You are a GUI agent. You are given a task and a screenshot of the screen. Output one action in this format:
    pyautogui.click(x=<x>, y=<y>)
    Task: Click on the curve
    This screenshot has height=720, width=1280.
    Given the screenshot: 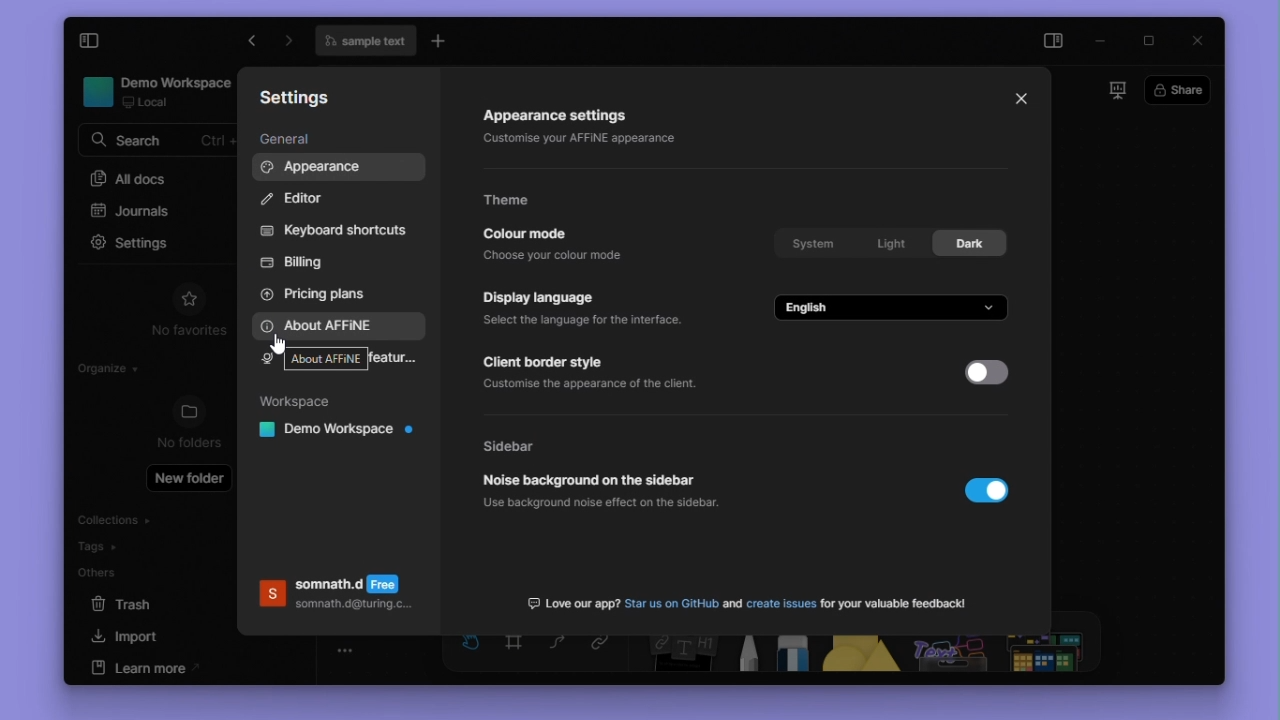 What is the action you would take?
    pyautogui.click(x=558, y=653)
    